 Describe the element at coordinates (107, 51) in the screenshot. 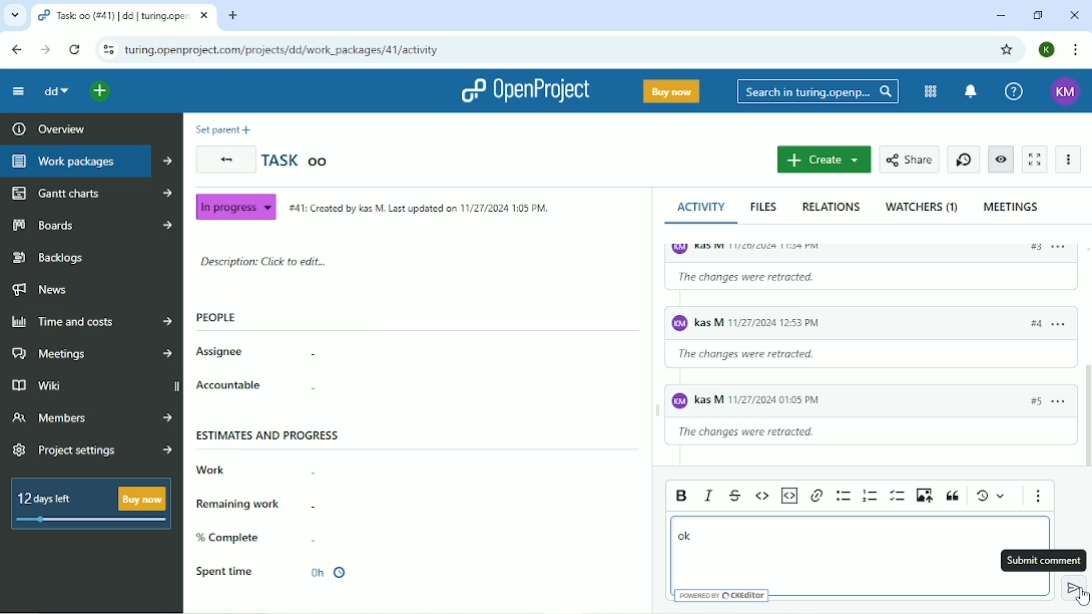

I see `View site information` at that location.